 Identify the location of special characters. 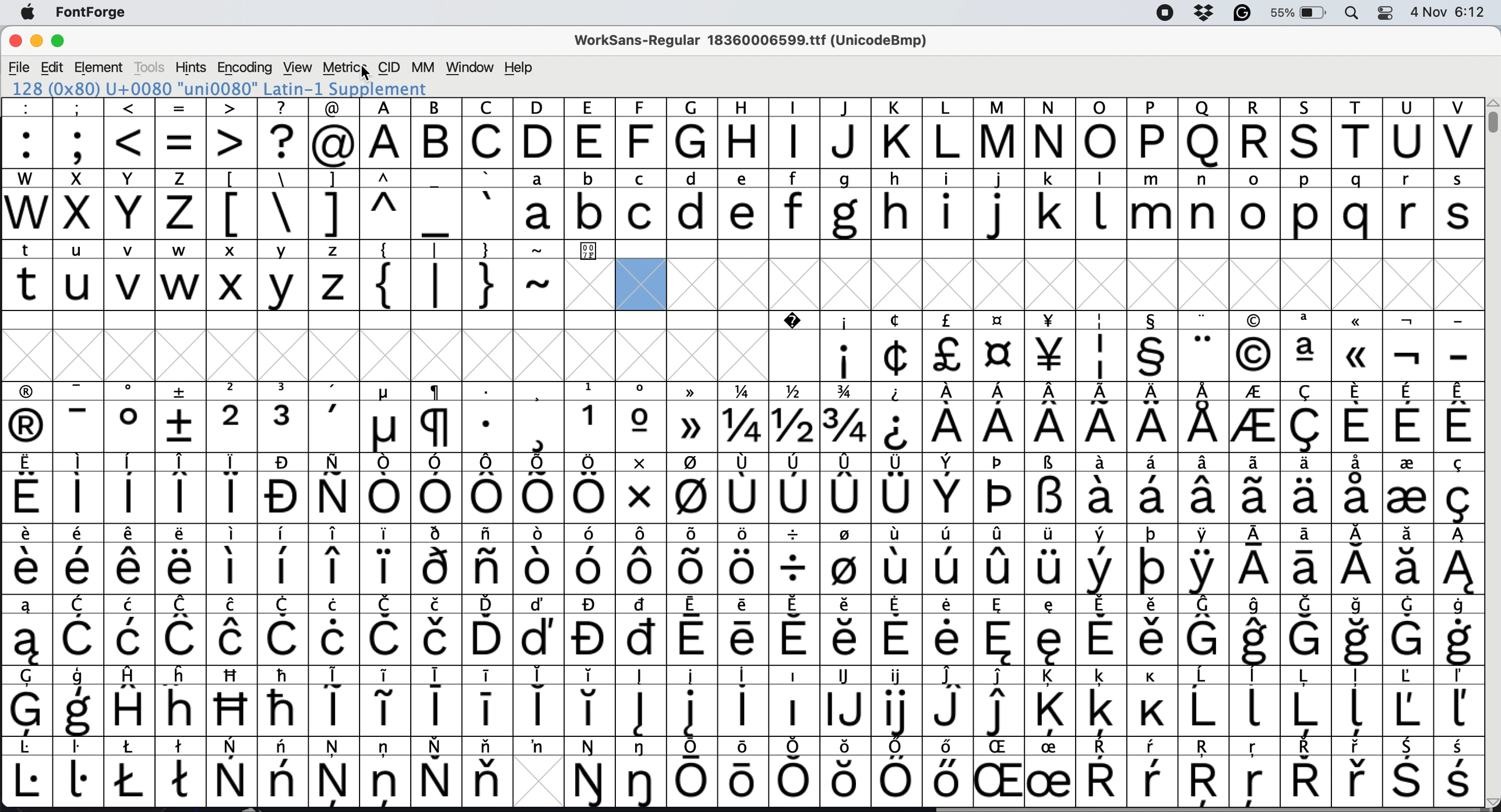
(742, 498).